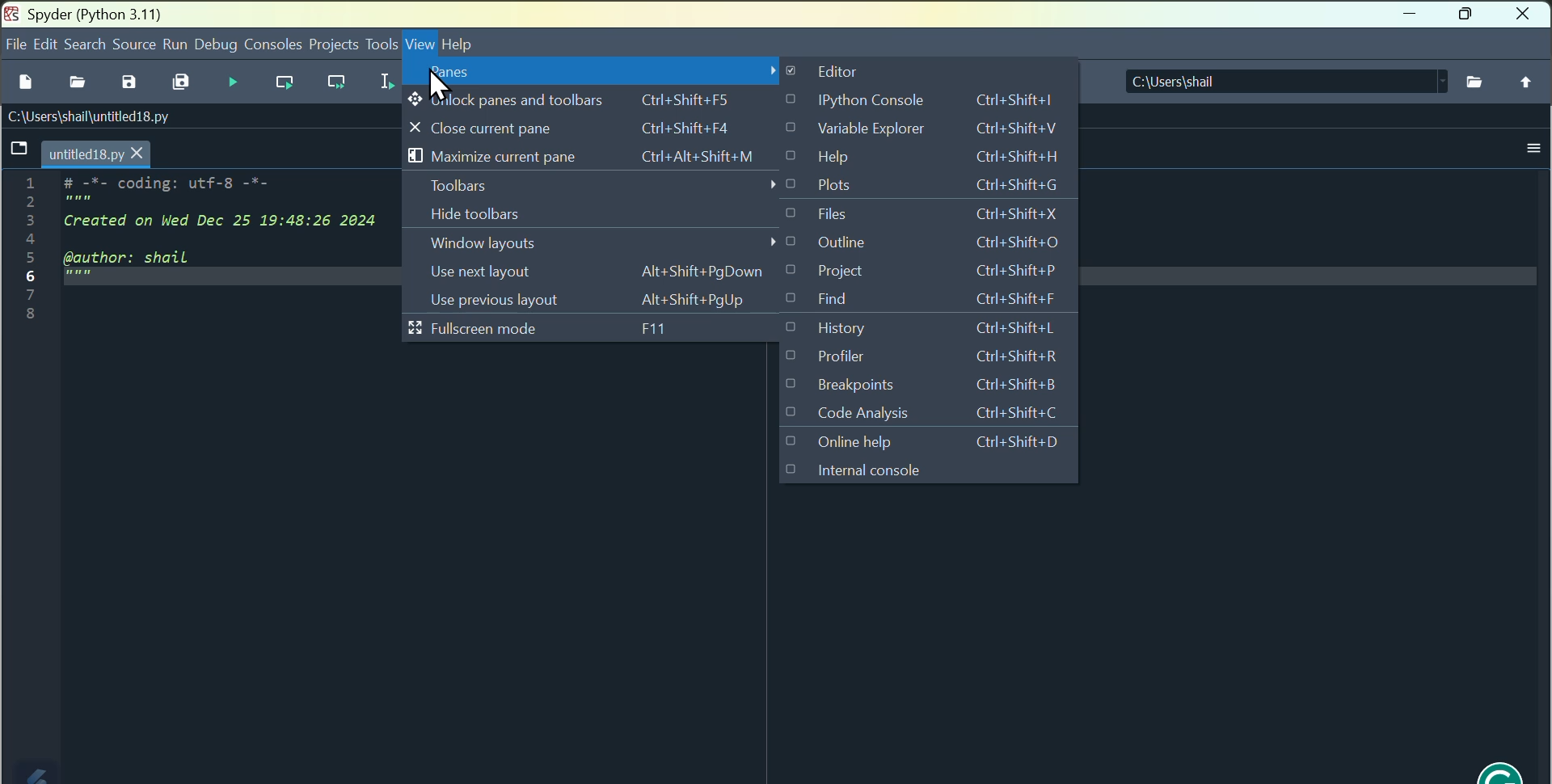 The image size is (1552, 784). I want to click on Open file, so click(75, 81).